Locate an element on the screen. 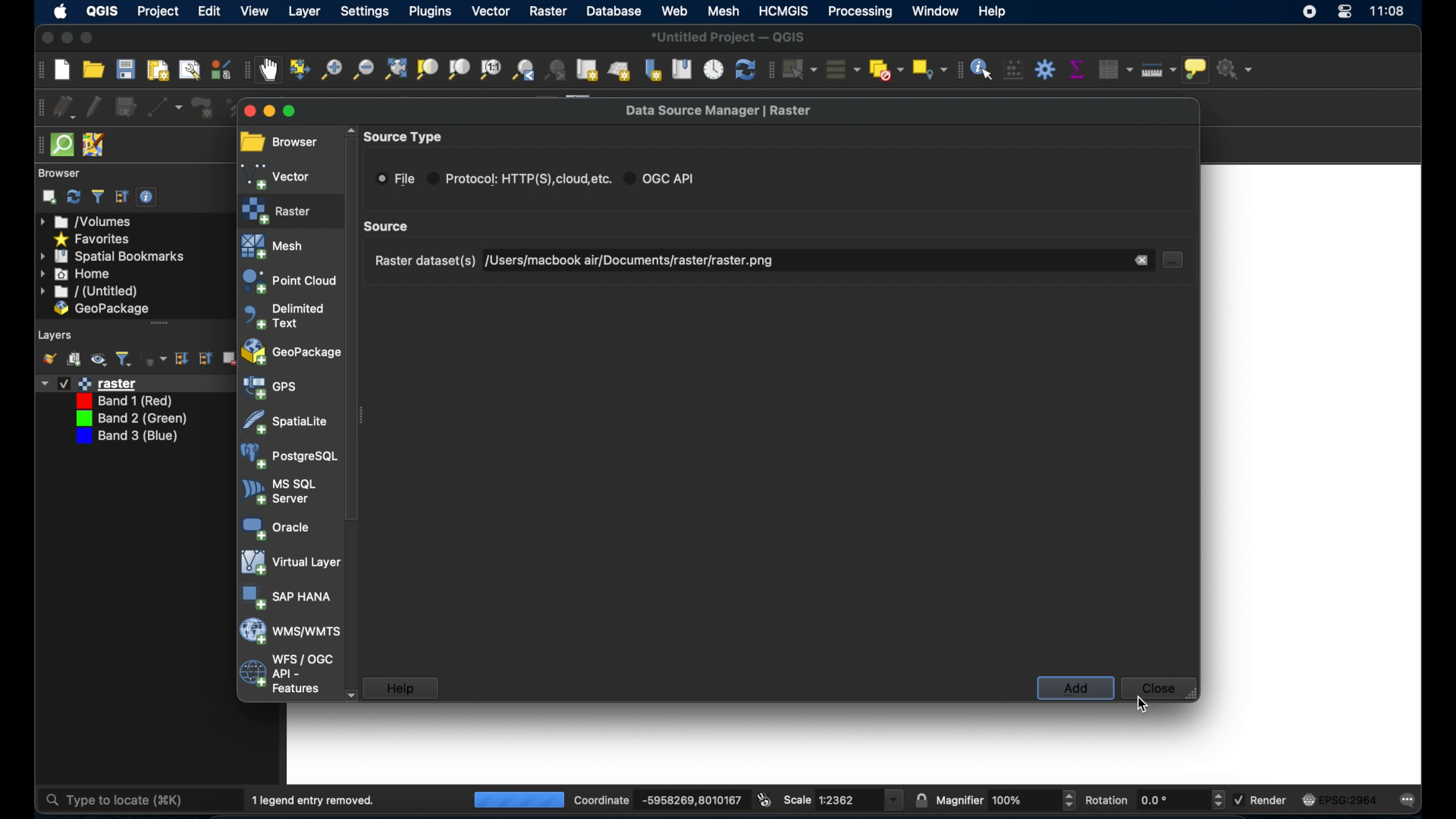 This screenshot has width=1456, height=819. geopackage is located at coordinates (289, 350).